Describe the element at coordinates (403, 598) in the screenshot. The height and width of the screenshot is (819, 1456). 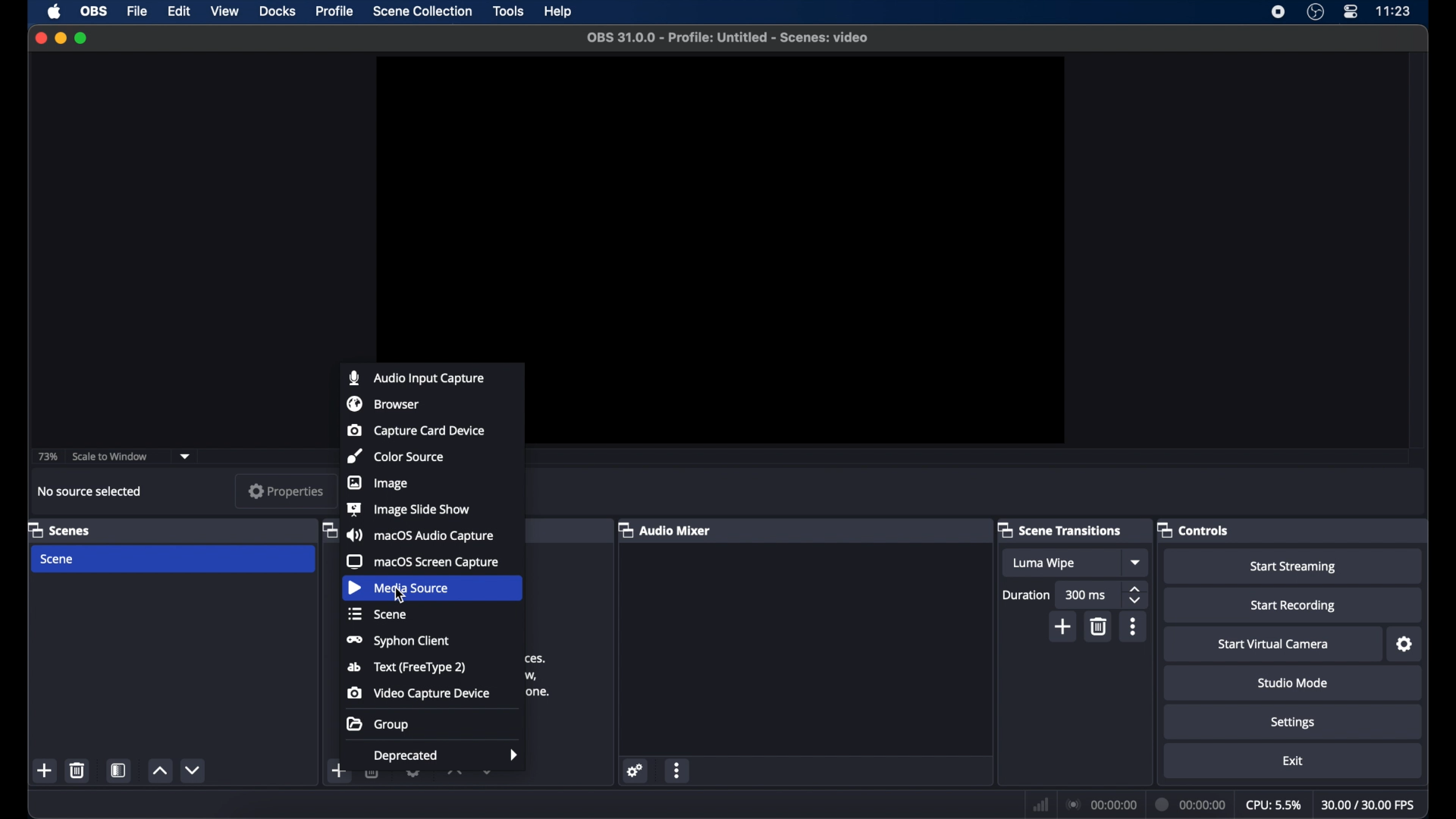
I see `cursor` at that location.